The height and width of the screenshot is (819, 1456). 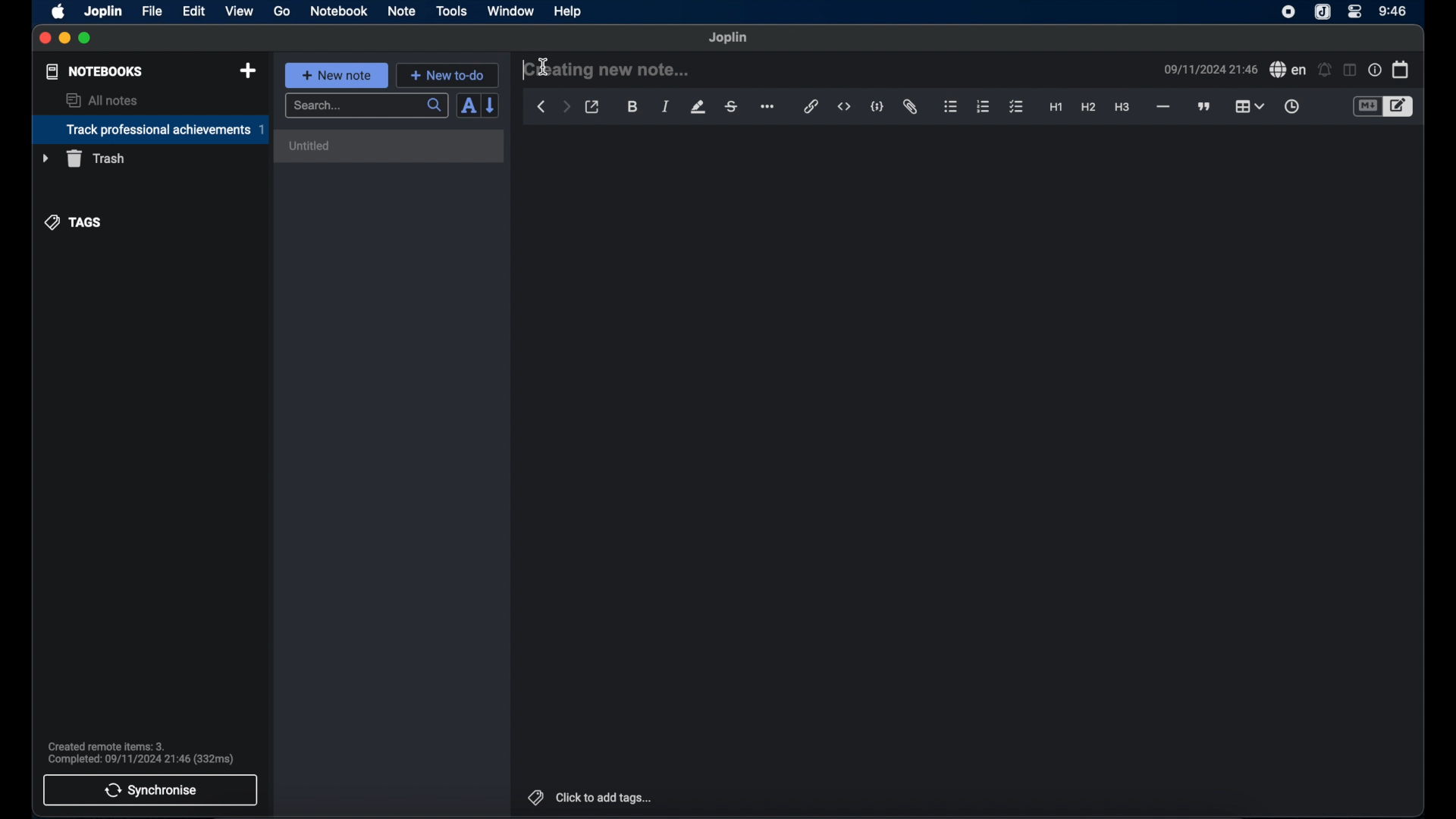 I want to click on creating new note, so click(x=607, y=70).